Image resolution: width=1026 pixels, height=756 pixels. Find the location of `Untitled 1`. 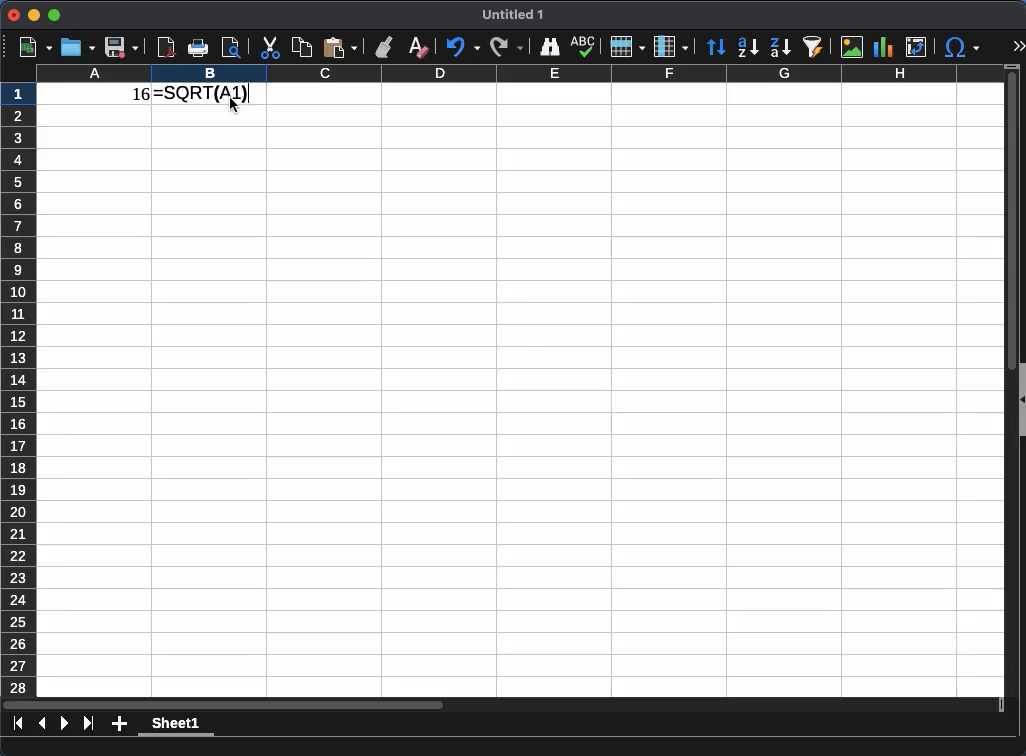

Untitled 1 is located at coordinates (506, 15).